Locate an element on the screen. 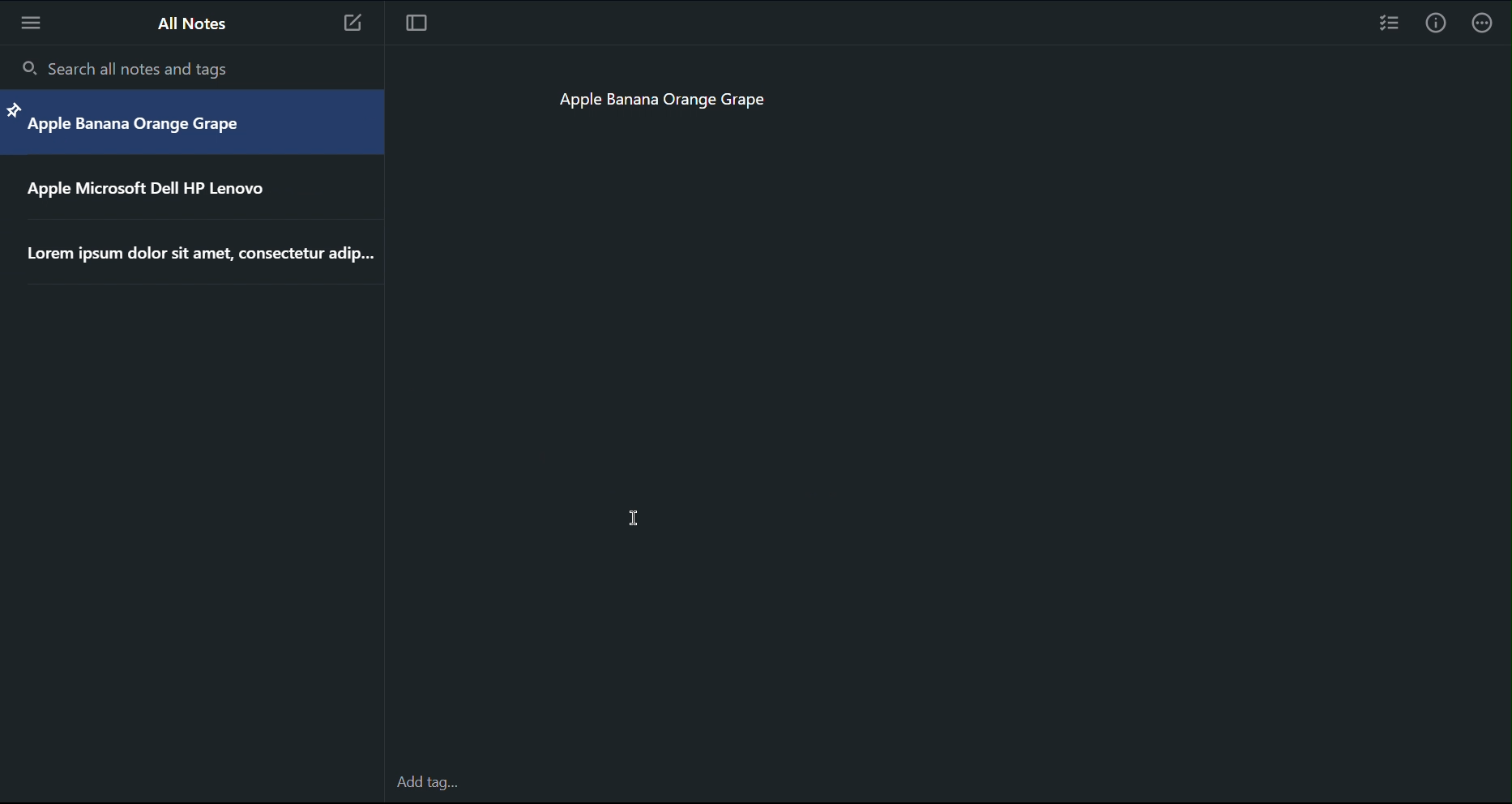 The width and height of the screenshot is (1512, 804). Lorem ipsum dolor sit amet, consectetur adip... is located at coordinates (202, 255).